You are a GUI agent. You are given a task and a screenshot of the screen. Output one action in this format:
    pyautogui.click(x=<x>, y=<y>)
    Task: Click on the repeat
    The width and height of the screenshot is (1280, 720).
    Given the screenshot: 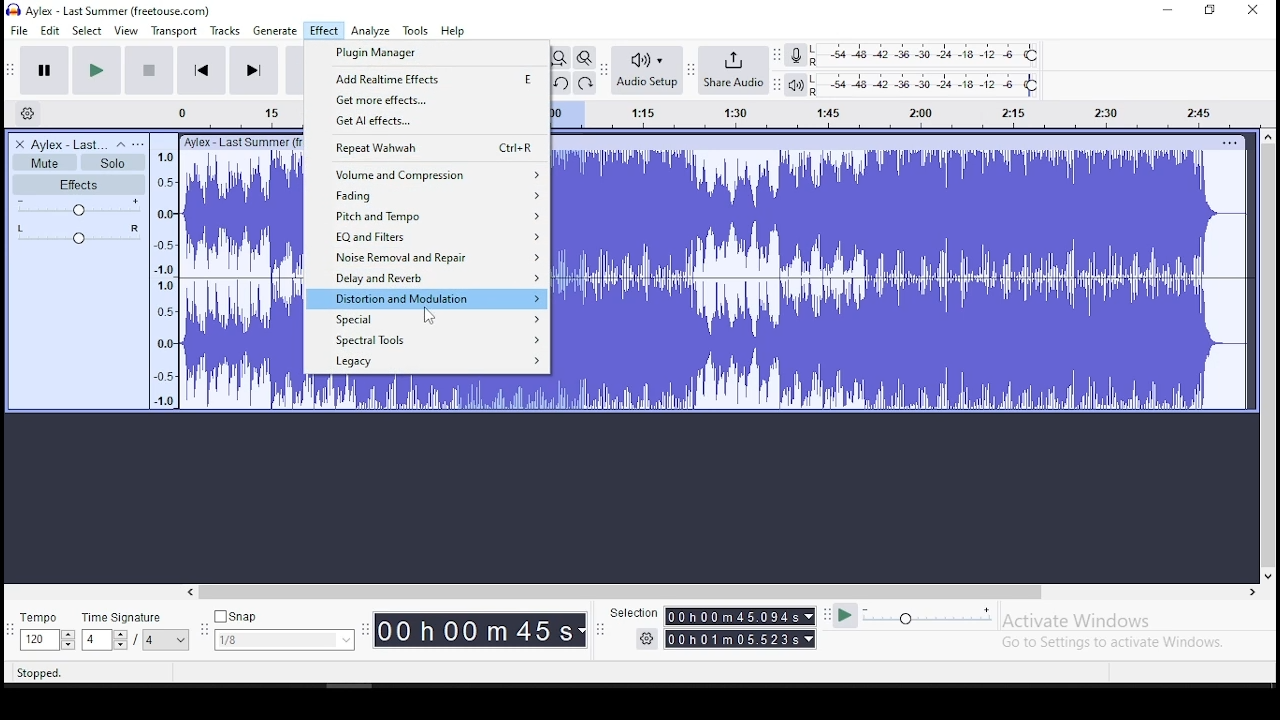 What is the action you would take?
    pyautogui.click(x=429, y=147)
    